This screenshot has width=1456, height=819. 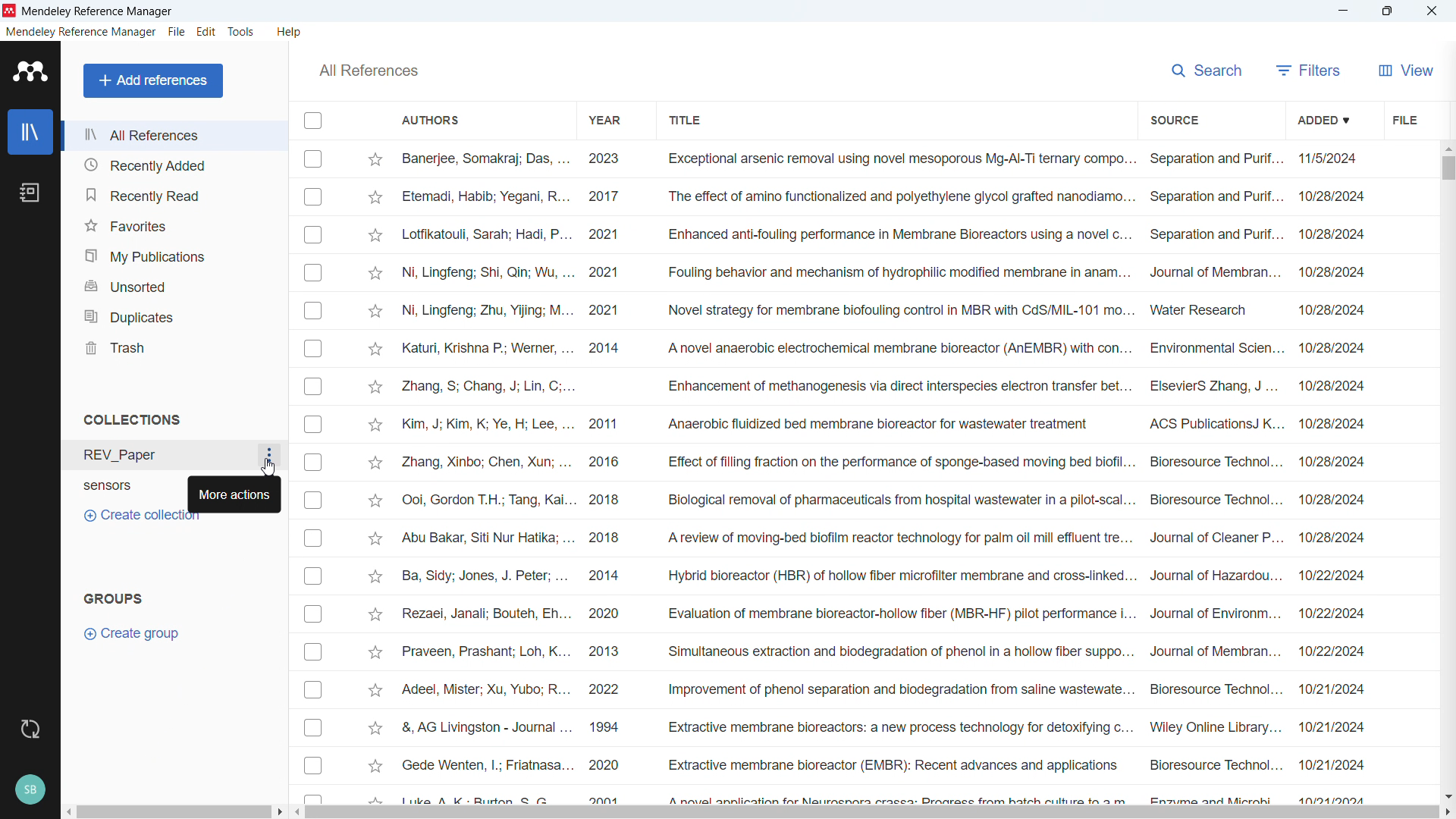 What do you see at coordinates (111, 598) in the screenshot?
I see `Groups ` at bounding box center [111, 598].